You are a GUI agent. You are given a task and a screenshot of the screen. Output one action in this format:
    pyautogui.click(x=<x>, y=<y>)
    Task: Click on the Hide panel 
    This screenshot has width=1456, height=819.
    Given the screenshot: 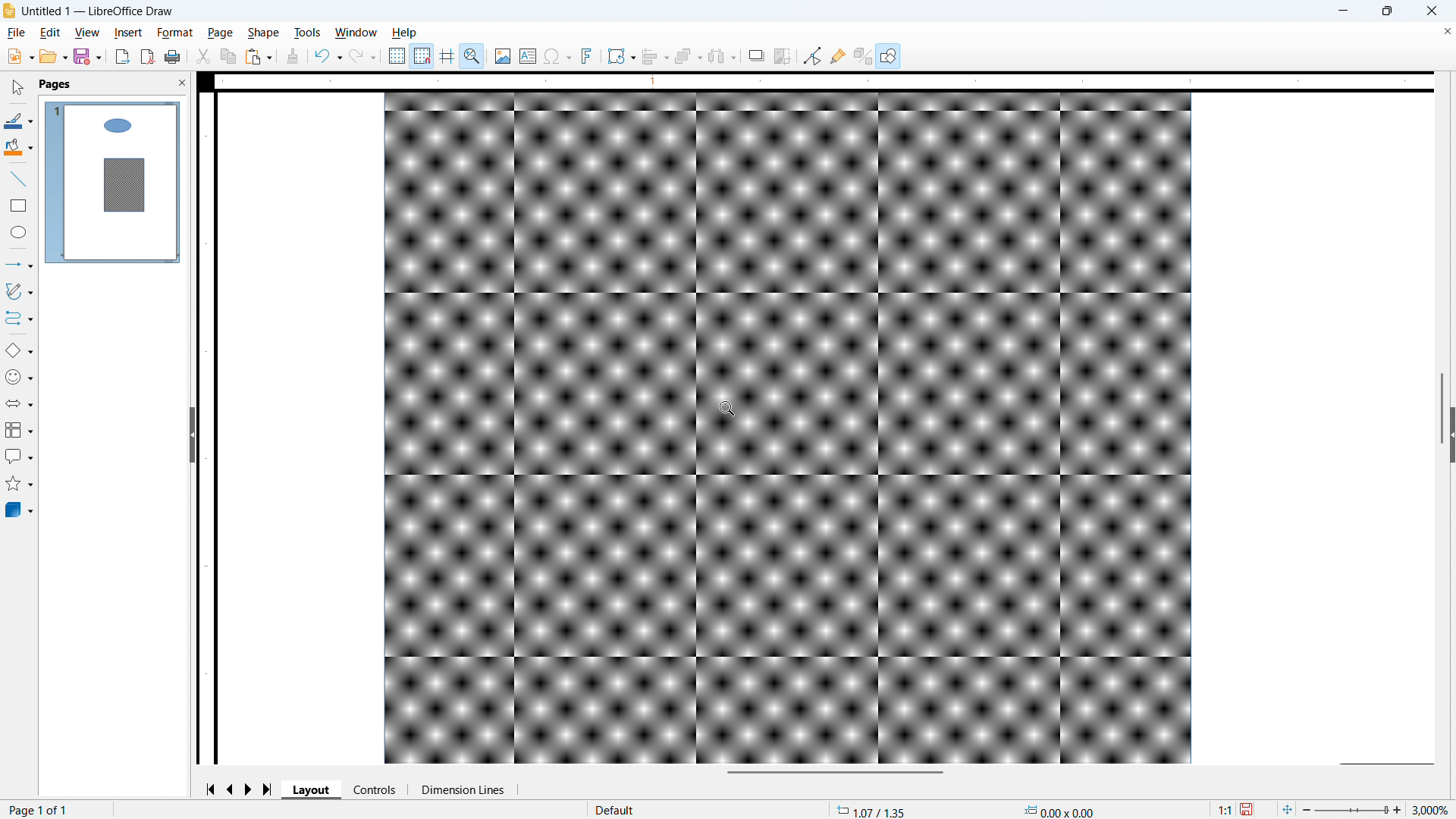 What is the action you would take?
    pyautogui.click(x=191, y=434)
    